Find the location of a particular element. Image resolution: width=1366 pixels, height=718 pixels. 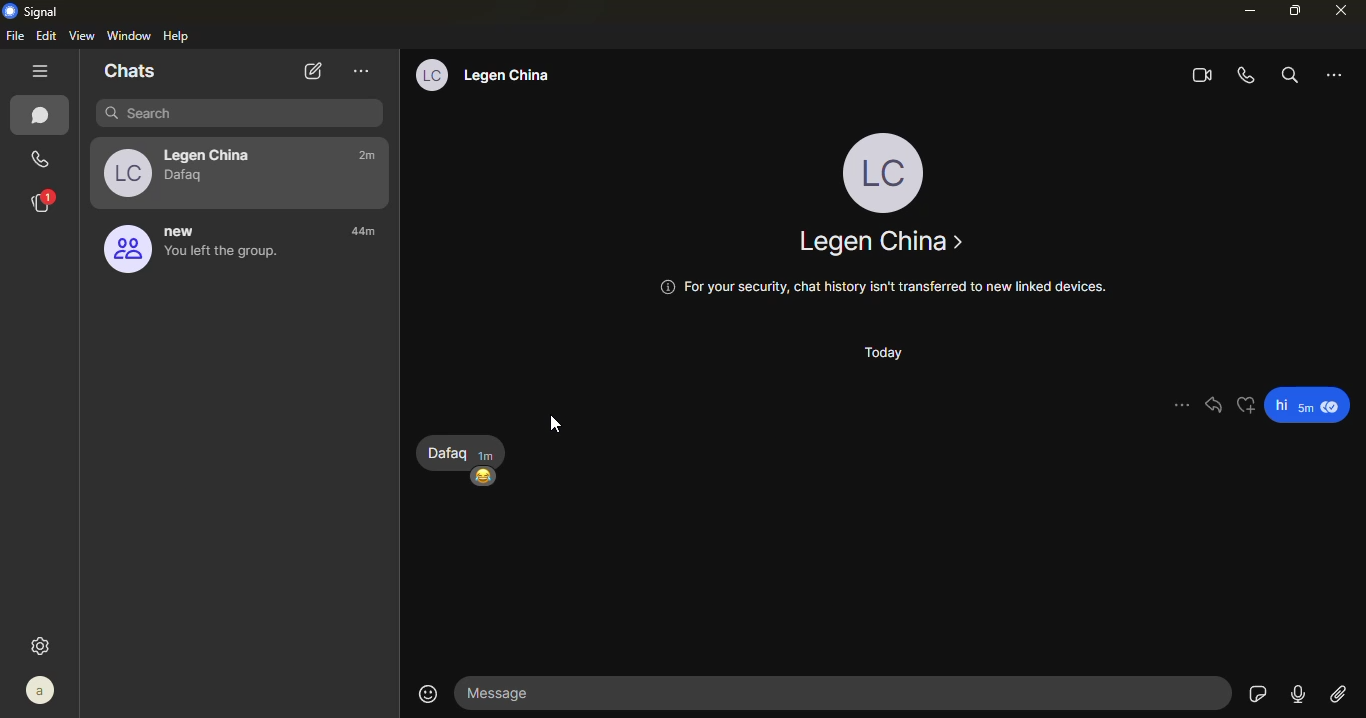

Legen china is located at coordinates (880, 242).